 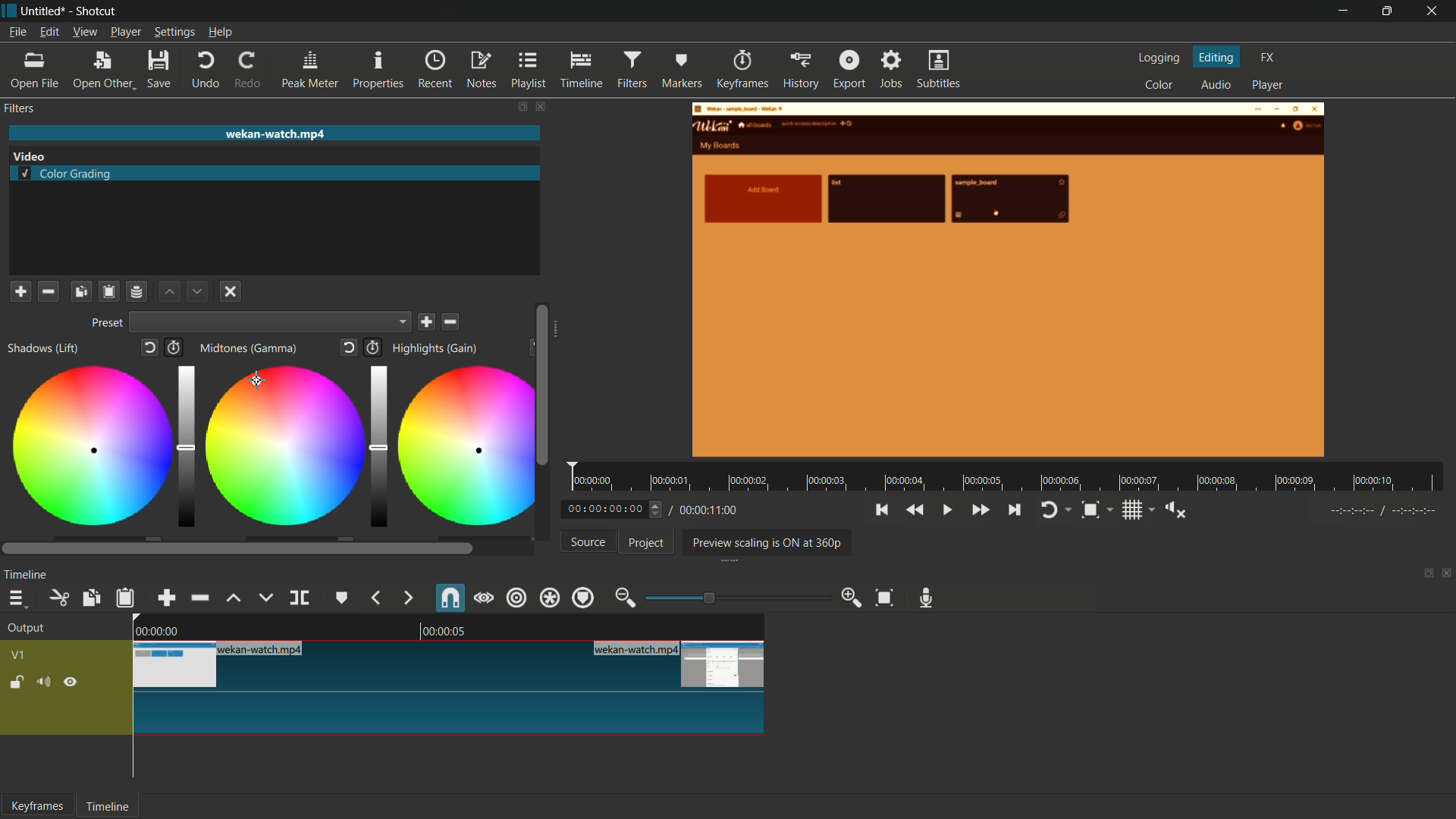 I want to click on ----:-- /, so click(x=1391, y=513).